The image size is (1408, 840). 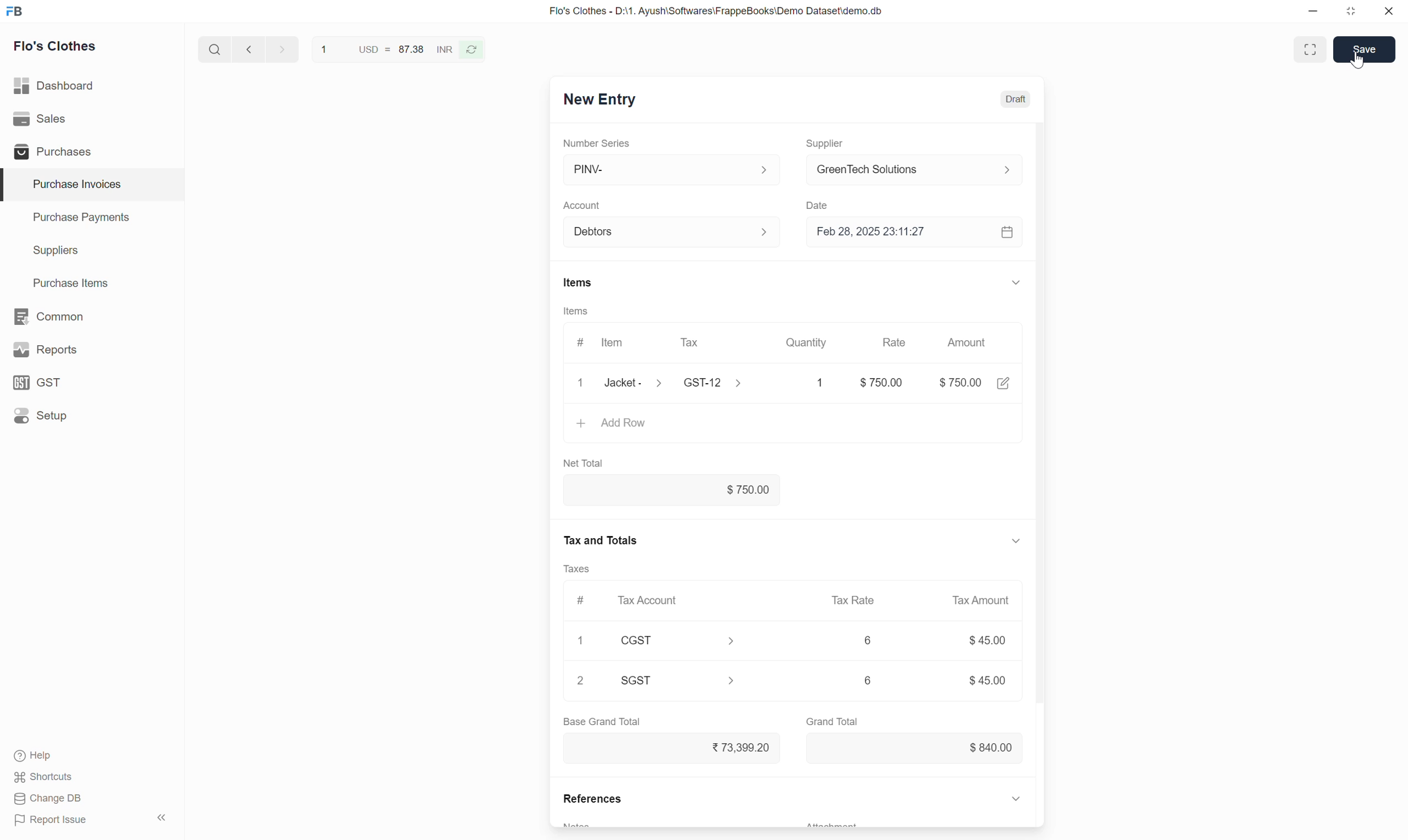 What do you see at coordinates (283, 49) in the screenshot?
I see `Next` at bounding box center [283, 49].